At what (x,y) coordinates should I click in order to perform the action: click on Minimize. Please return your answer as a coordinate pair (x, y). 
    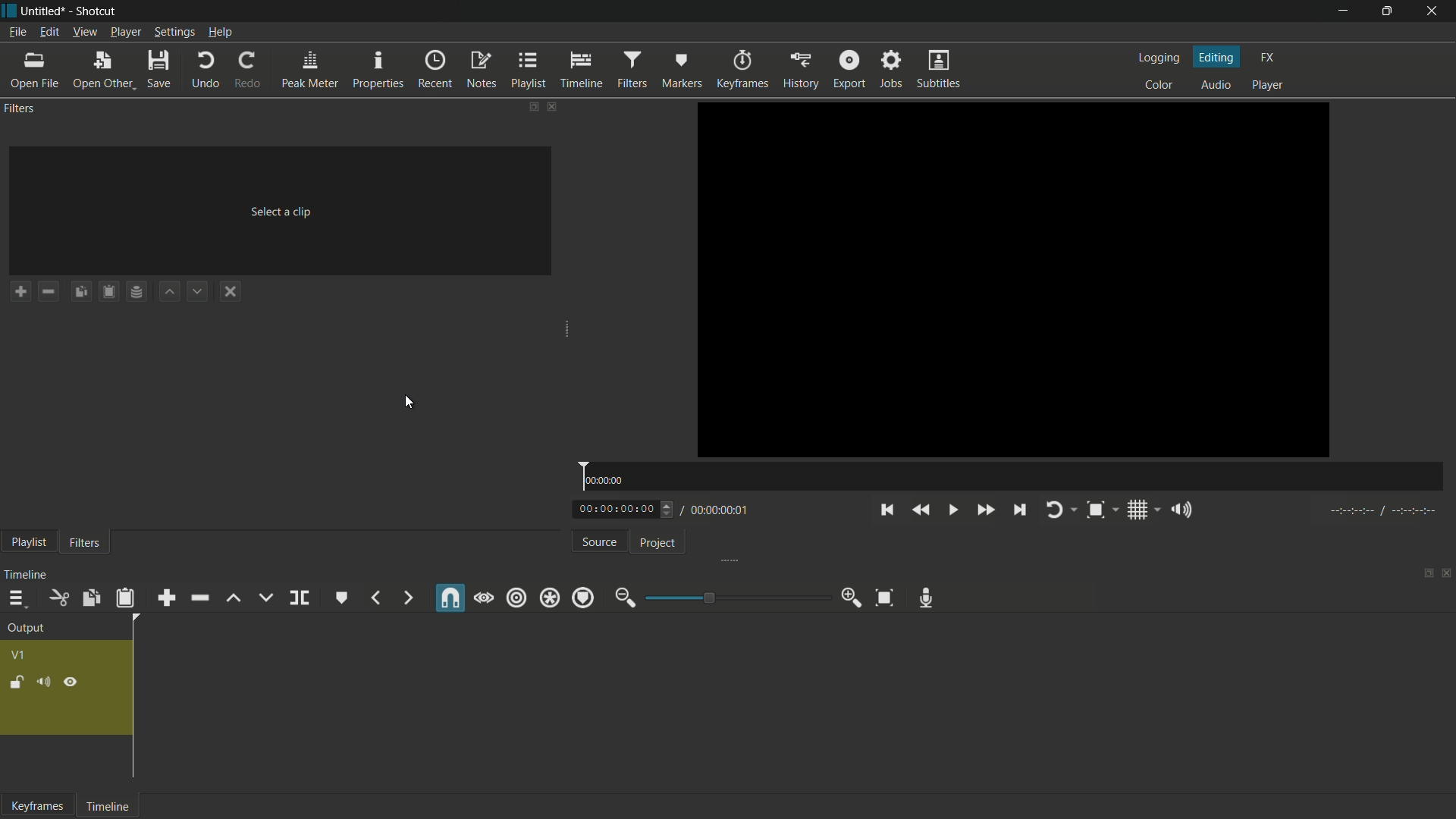
    Looking at the image, I should click on (1332, 11).